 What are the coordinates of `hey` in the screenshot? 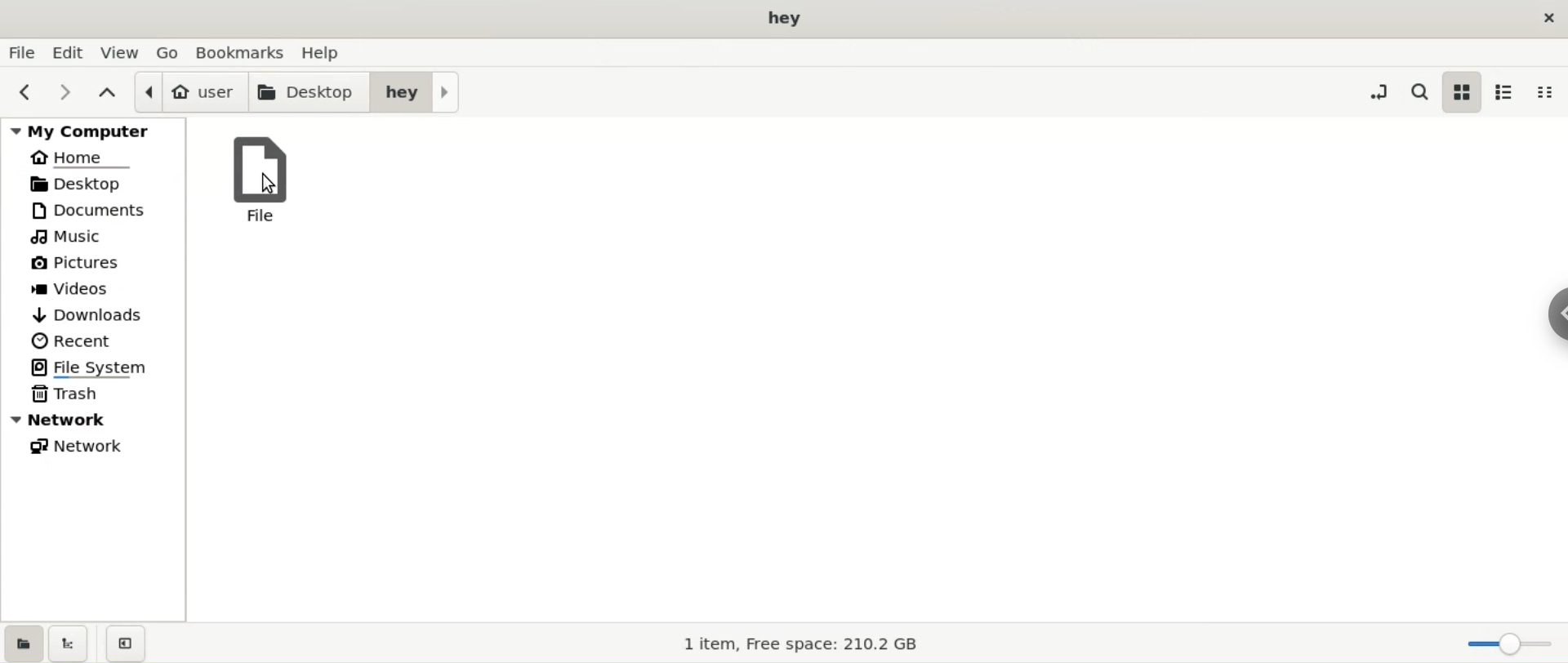 It's located at (415, 92).